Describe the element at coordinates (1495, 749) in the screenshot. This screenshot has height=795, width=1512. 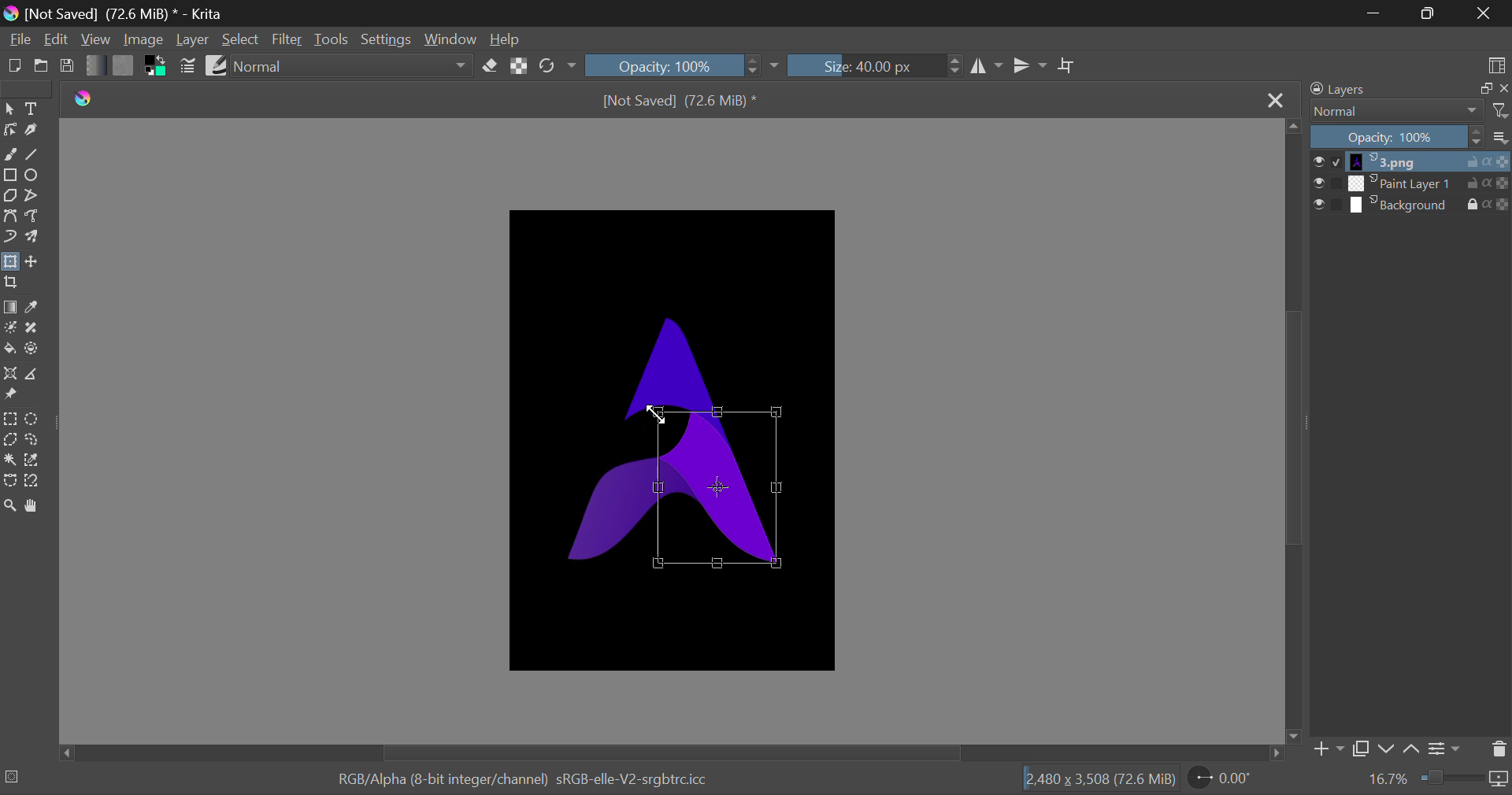
I see `Delete Layer` at that location.